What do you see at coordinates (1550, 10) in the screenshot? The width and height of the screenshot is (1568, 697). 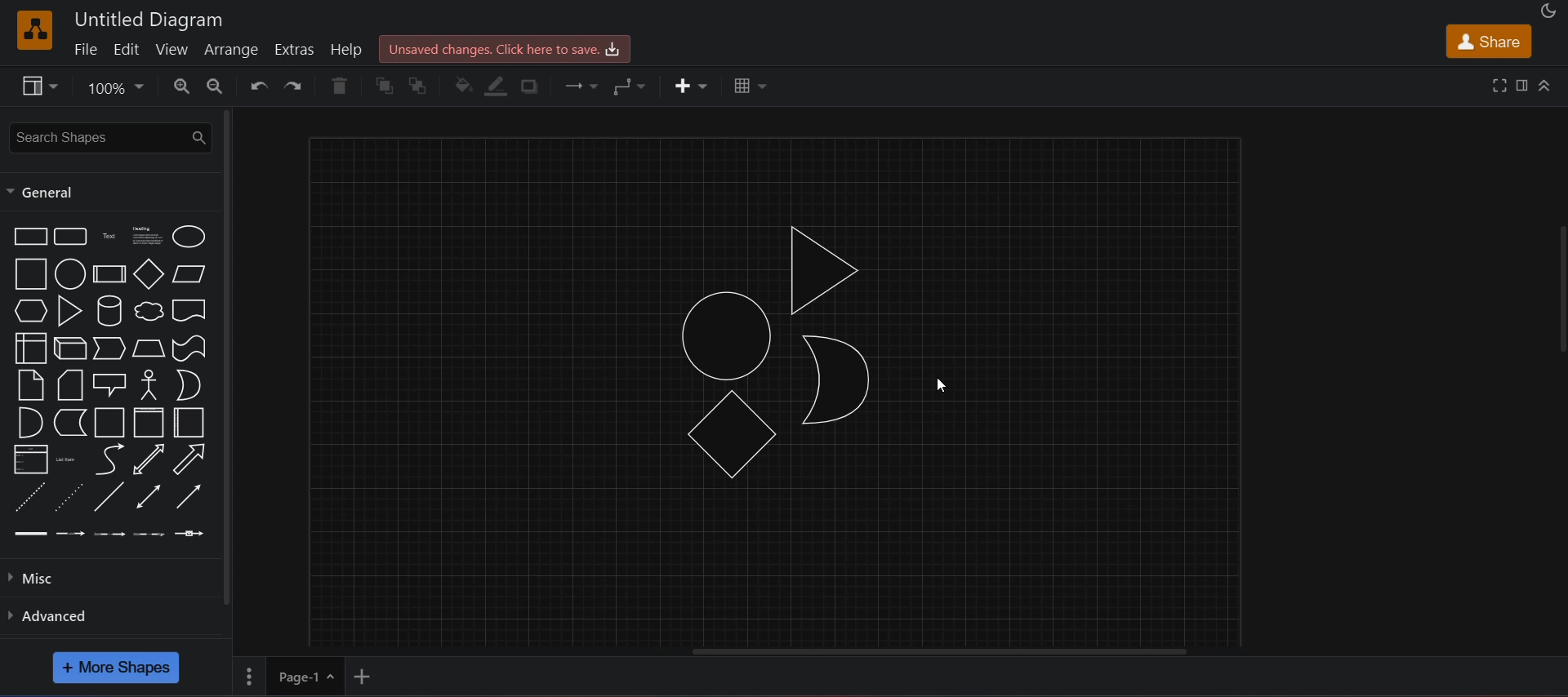 I see `appearance` at bounding box center [1550, 10].